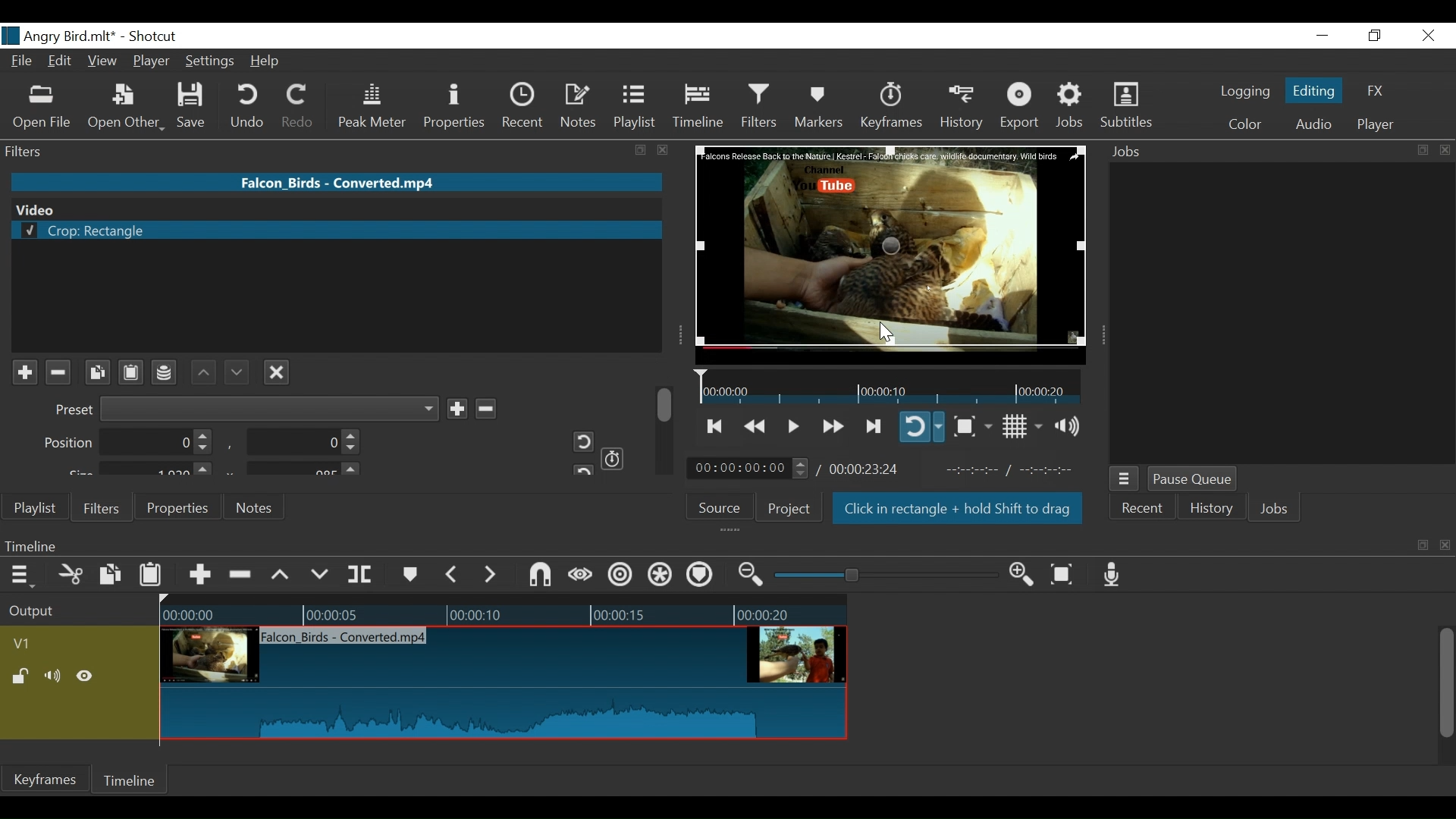  What do you see at coordinates (540, 576) in the screenshot?
I see `Snap ` at bounding box center [540, 576].